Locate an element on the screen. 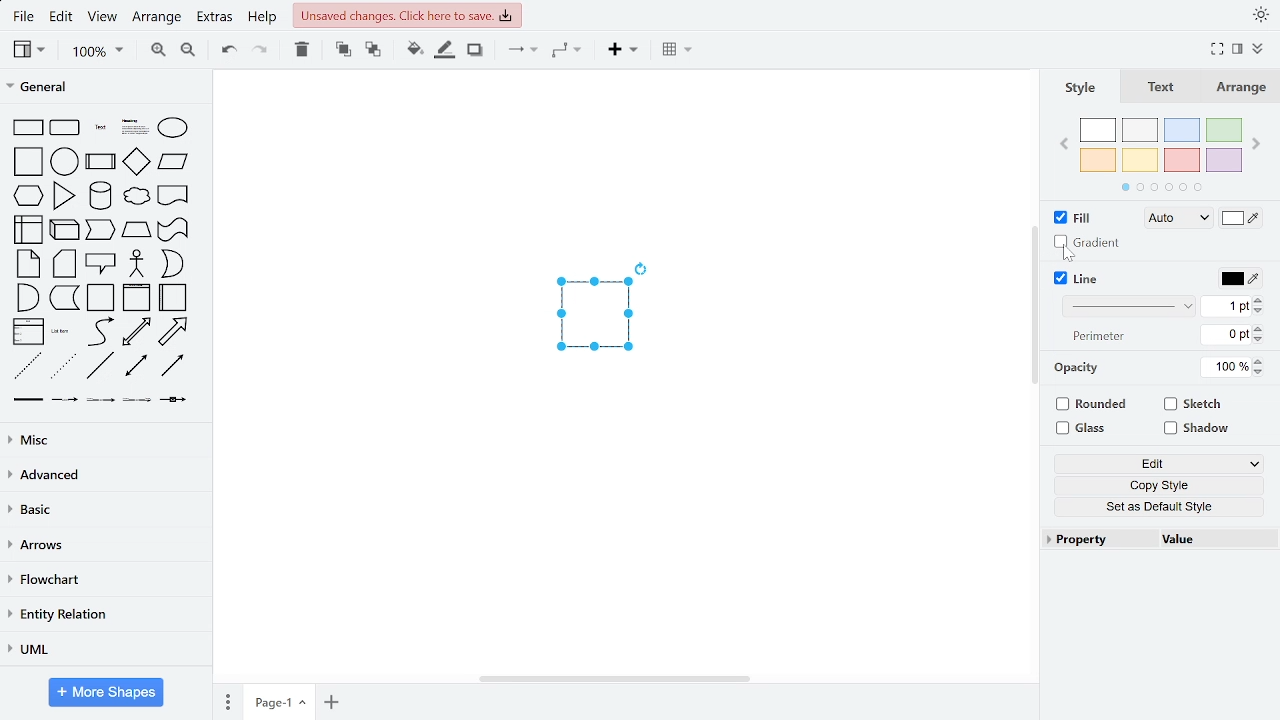 This screenshot has width=1280, height=720. advanced is located at coordinates (106, 476).